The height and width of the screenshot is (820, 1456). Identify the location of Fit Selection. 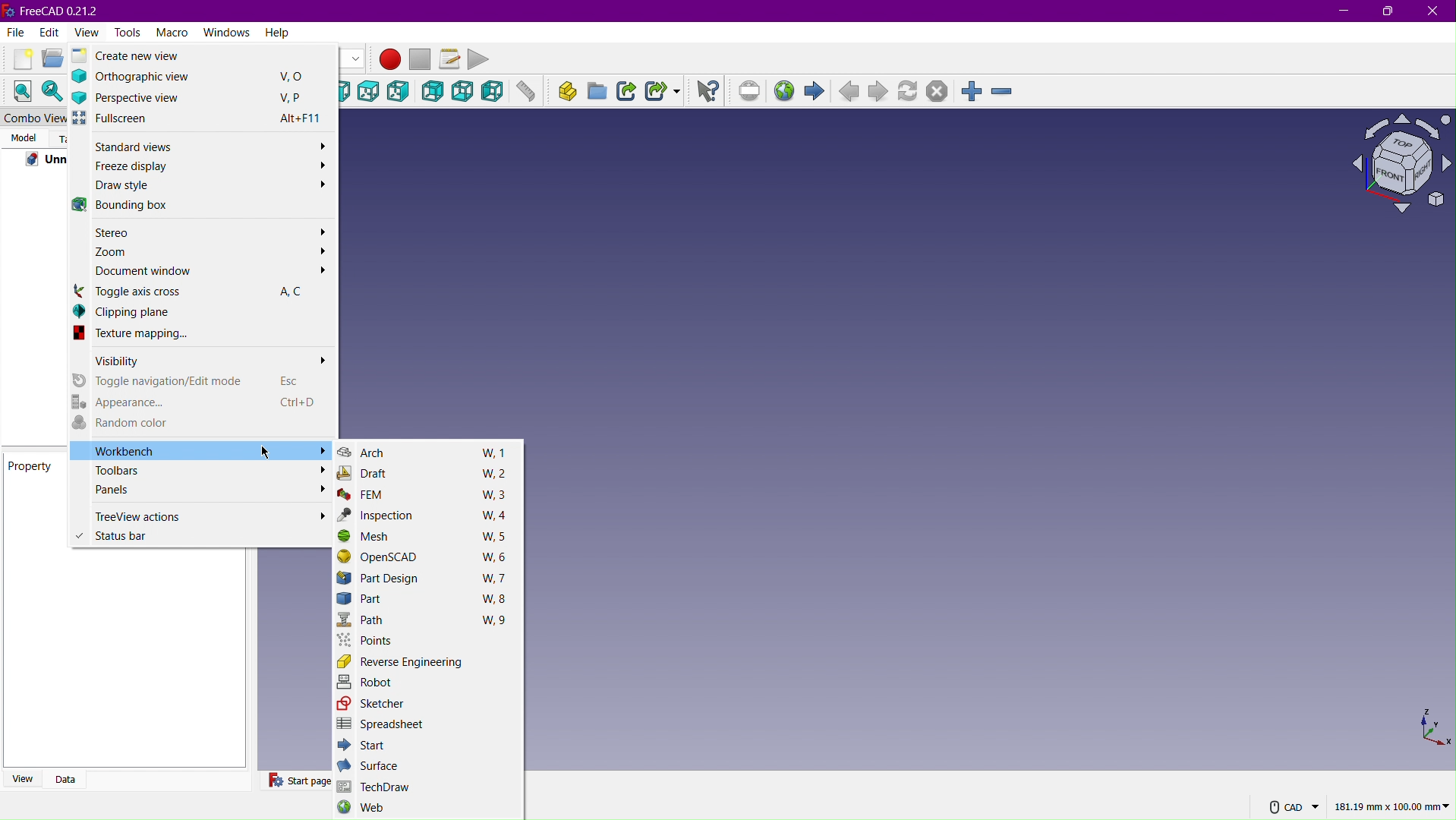
(50, 91).